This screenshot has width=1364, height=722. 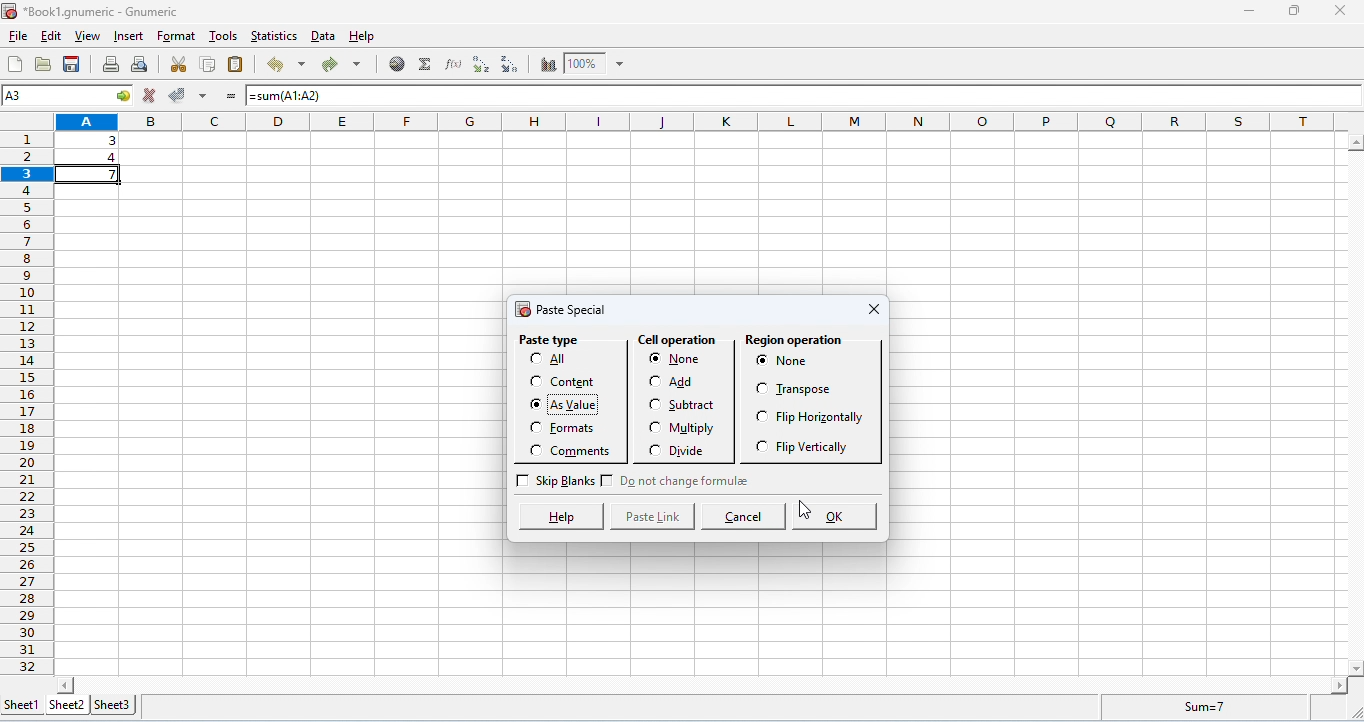 What do you see at coordinates (815, 361) in the screenshot?
I see `none` at bounding box center [815, 361].